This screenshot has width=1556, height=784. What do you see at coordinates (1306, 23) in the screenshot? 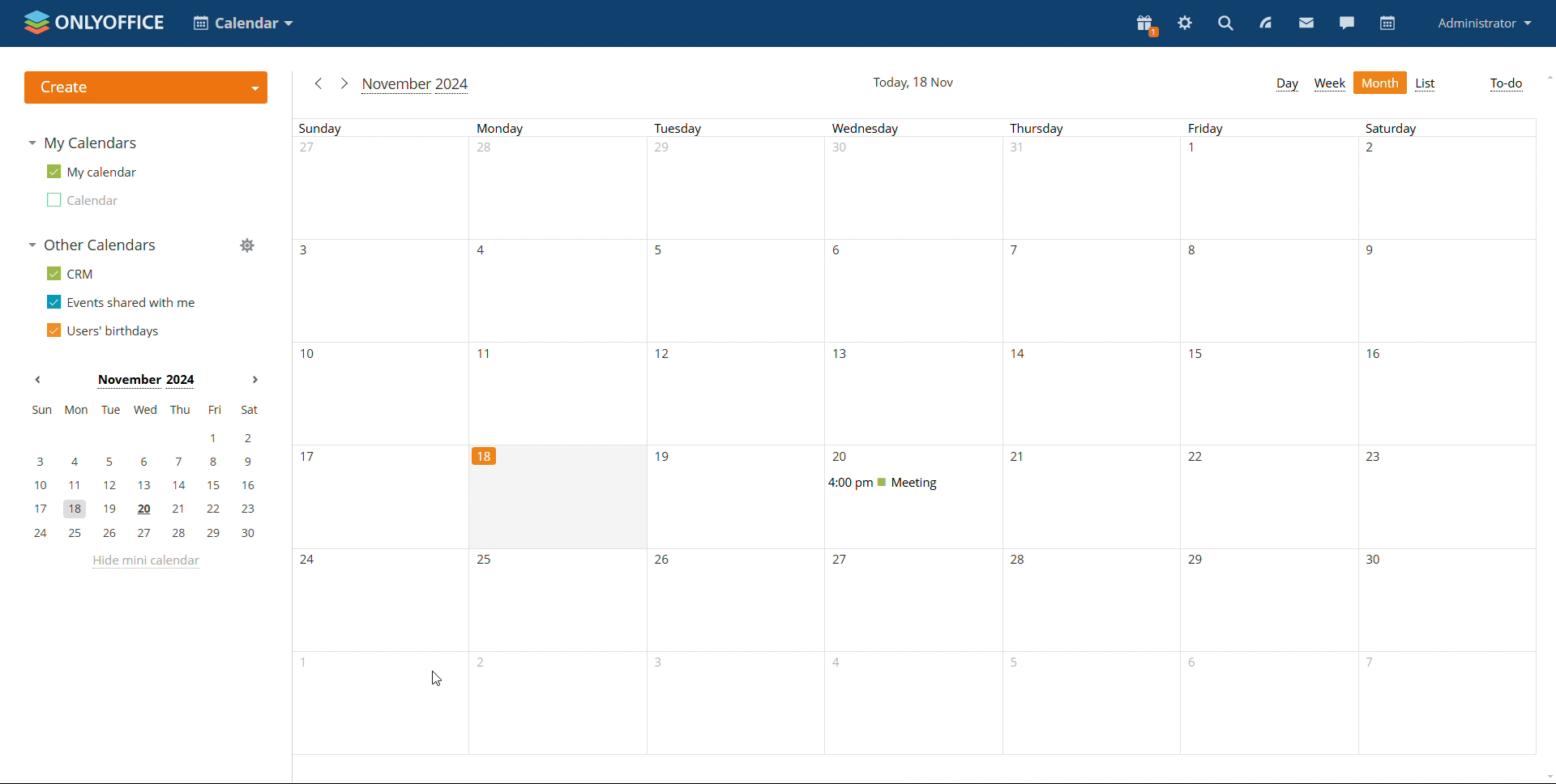
I see `mail` at bounding box center [1306, 23].